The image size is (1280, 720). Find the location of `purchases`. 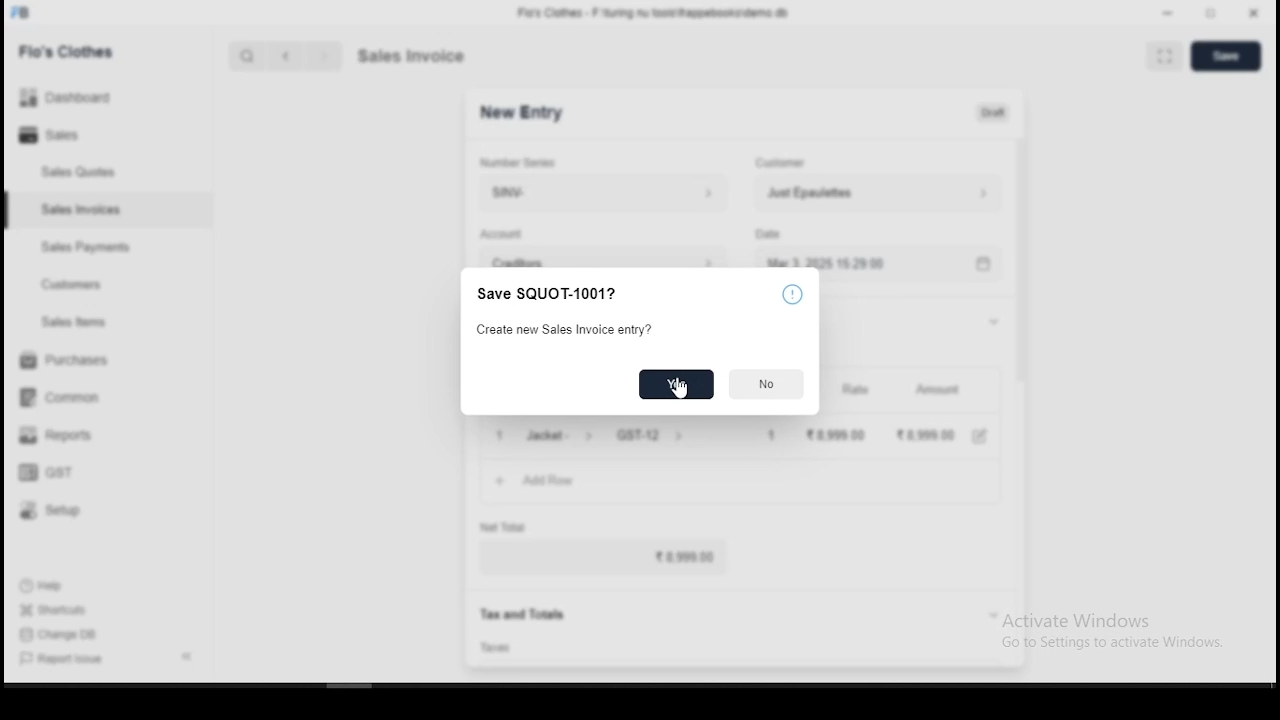

purchases is located at coordinates (64, 362).